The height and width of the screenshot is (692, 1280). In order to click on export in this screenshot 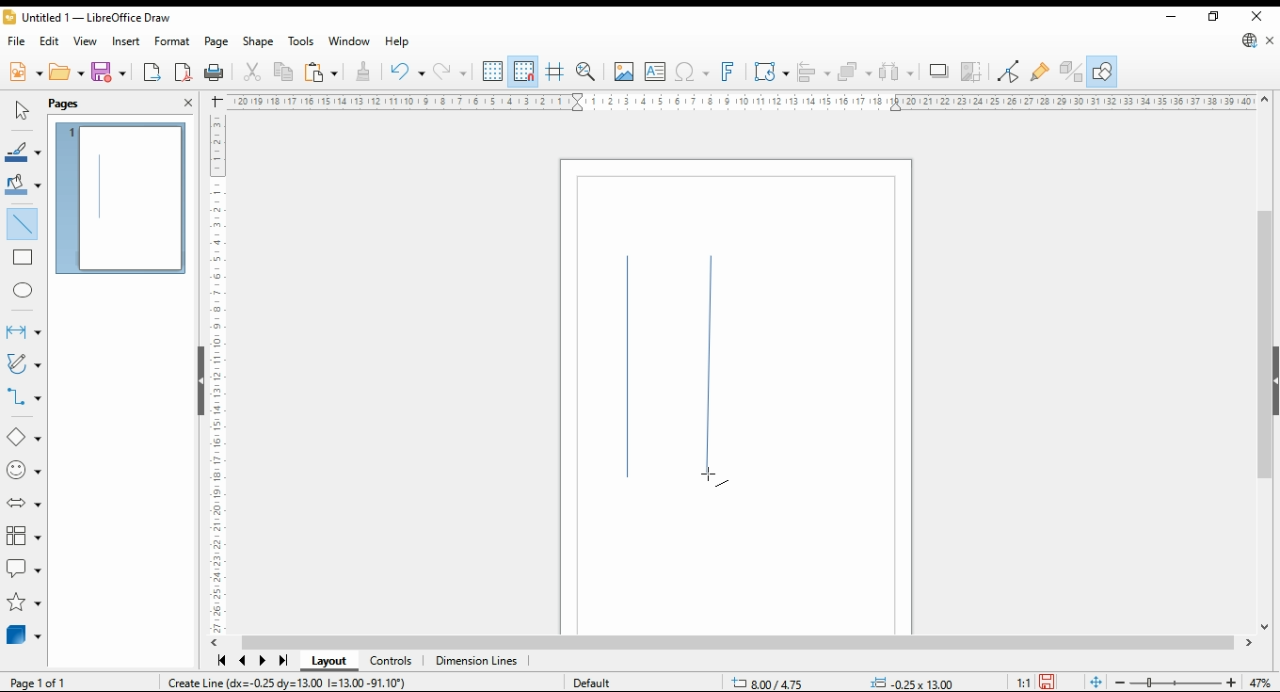, I will do `click(153, 73)`.